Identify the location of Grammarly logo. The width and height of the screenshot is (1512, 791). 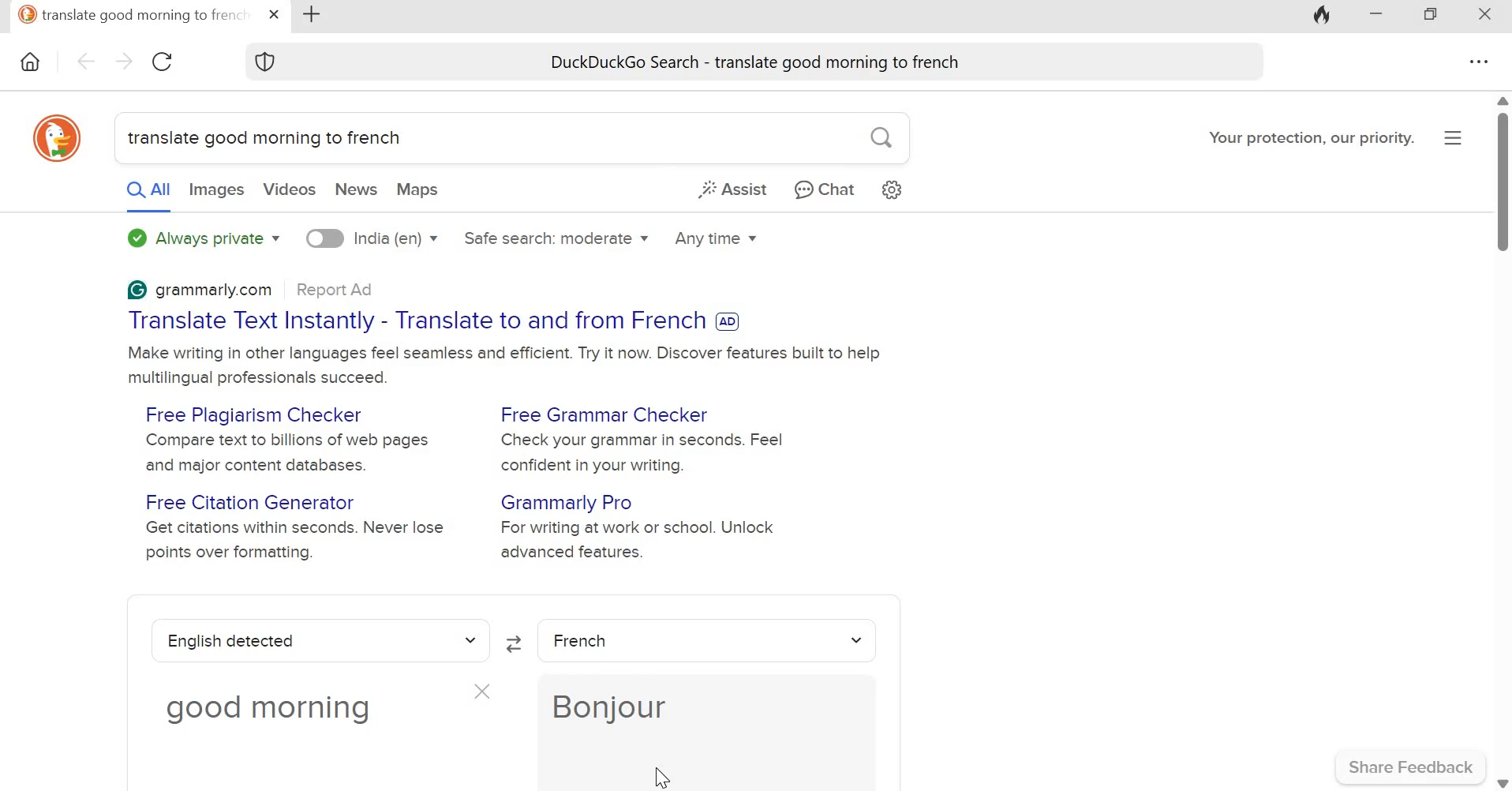
(136, 290).